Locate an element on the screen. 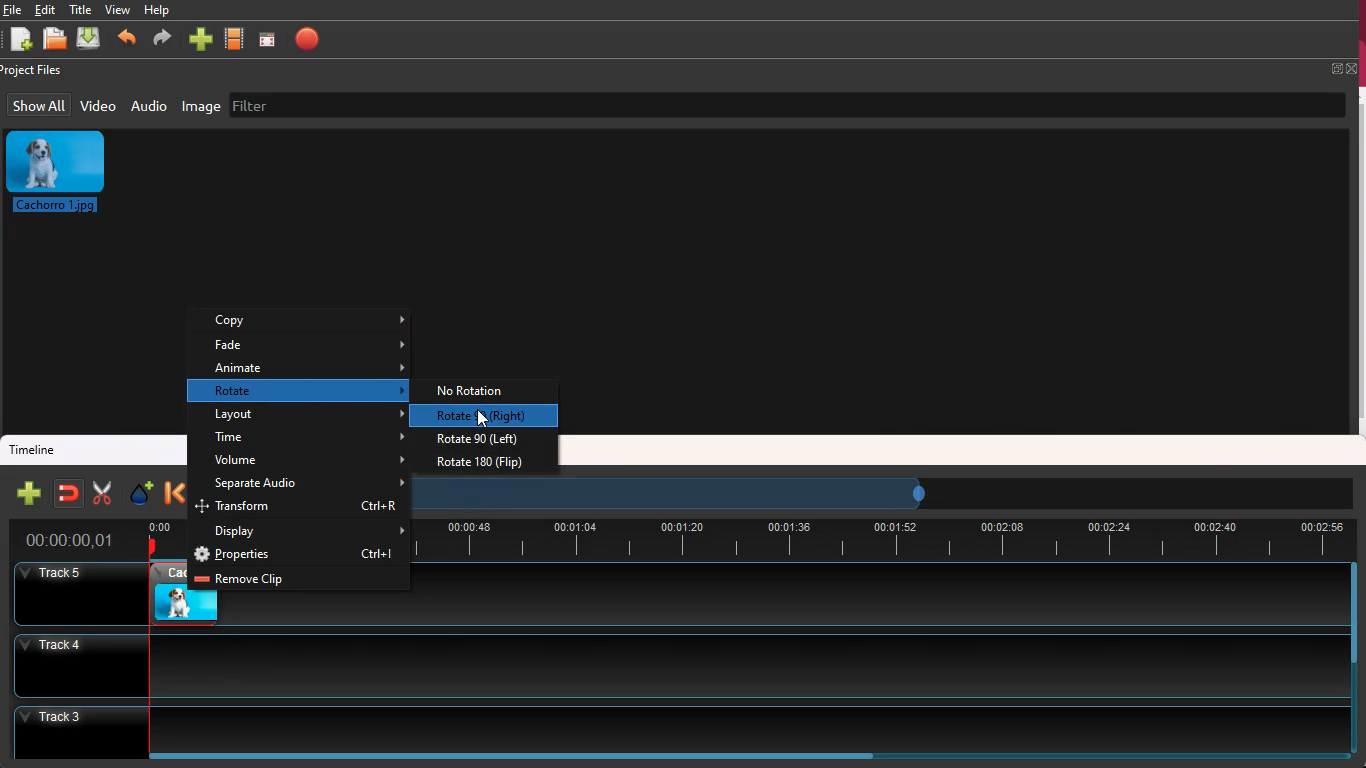  show all is located at coordinates (40, 105).